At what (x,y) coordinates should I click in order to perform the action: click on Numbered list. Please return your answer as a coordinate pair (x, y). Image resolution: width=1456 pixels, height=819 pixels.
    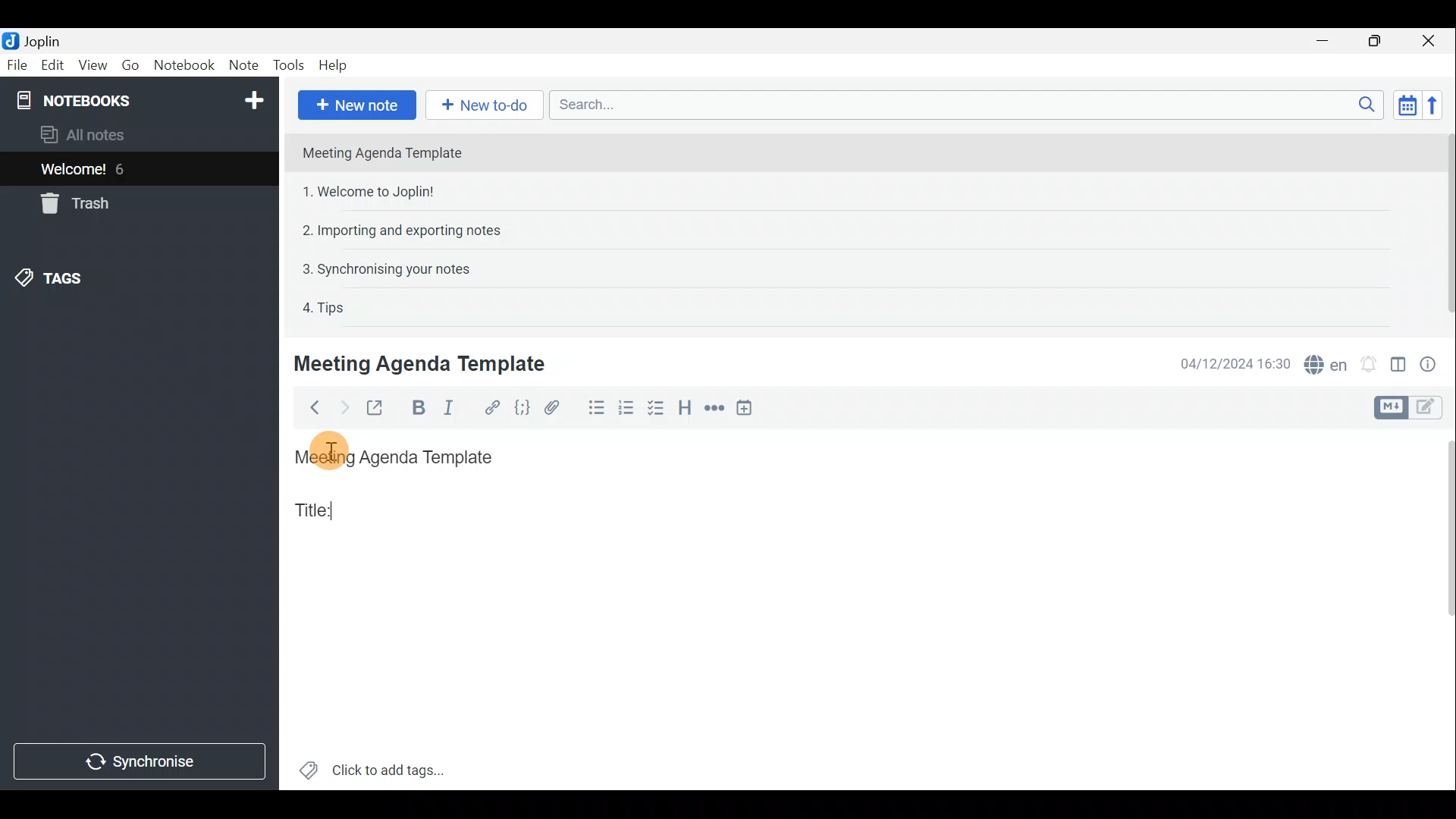
    Looking at the image, I should click on (626, 410).